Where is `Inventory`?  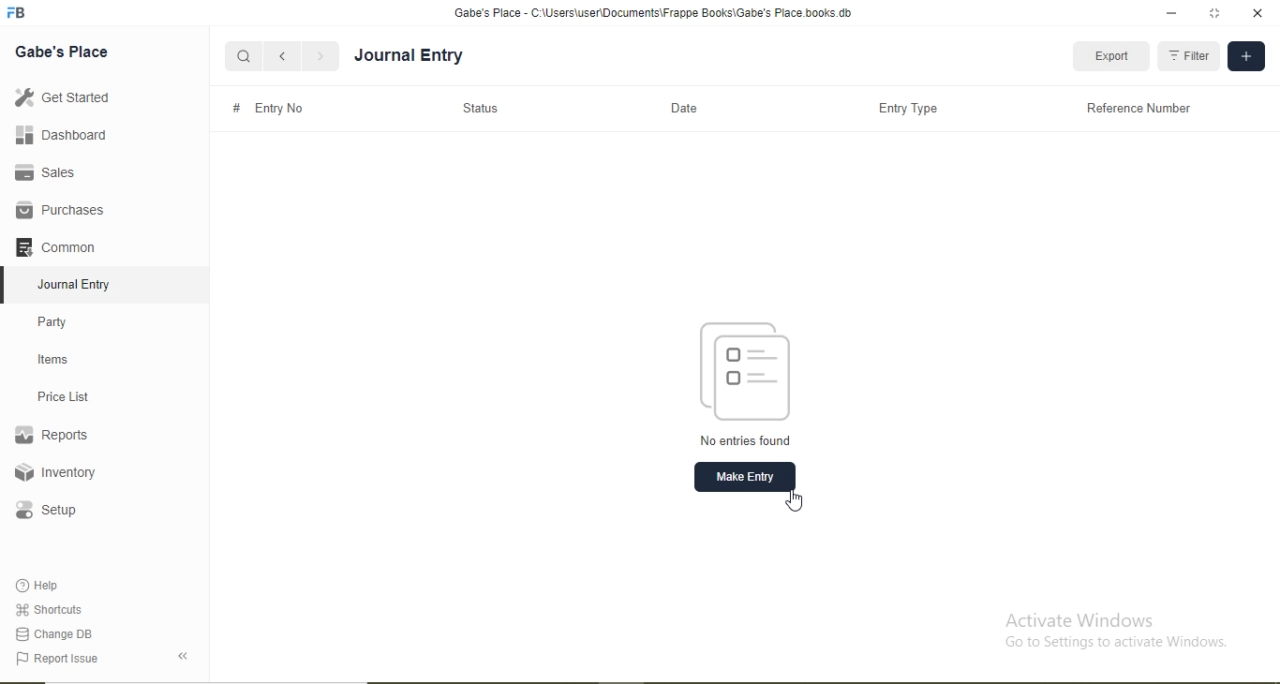 Inventory is located at coordinates (56, 472).